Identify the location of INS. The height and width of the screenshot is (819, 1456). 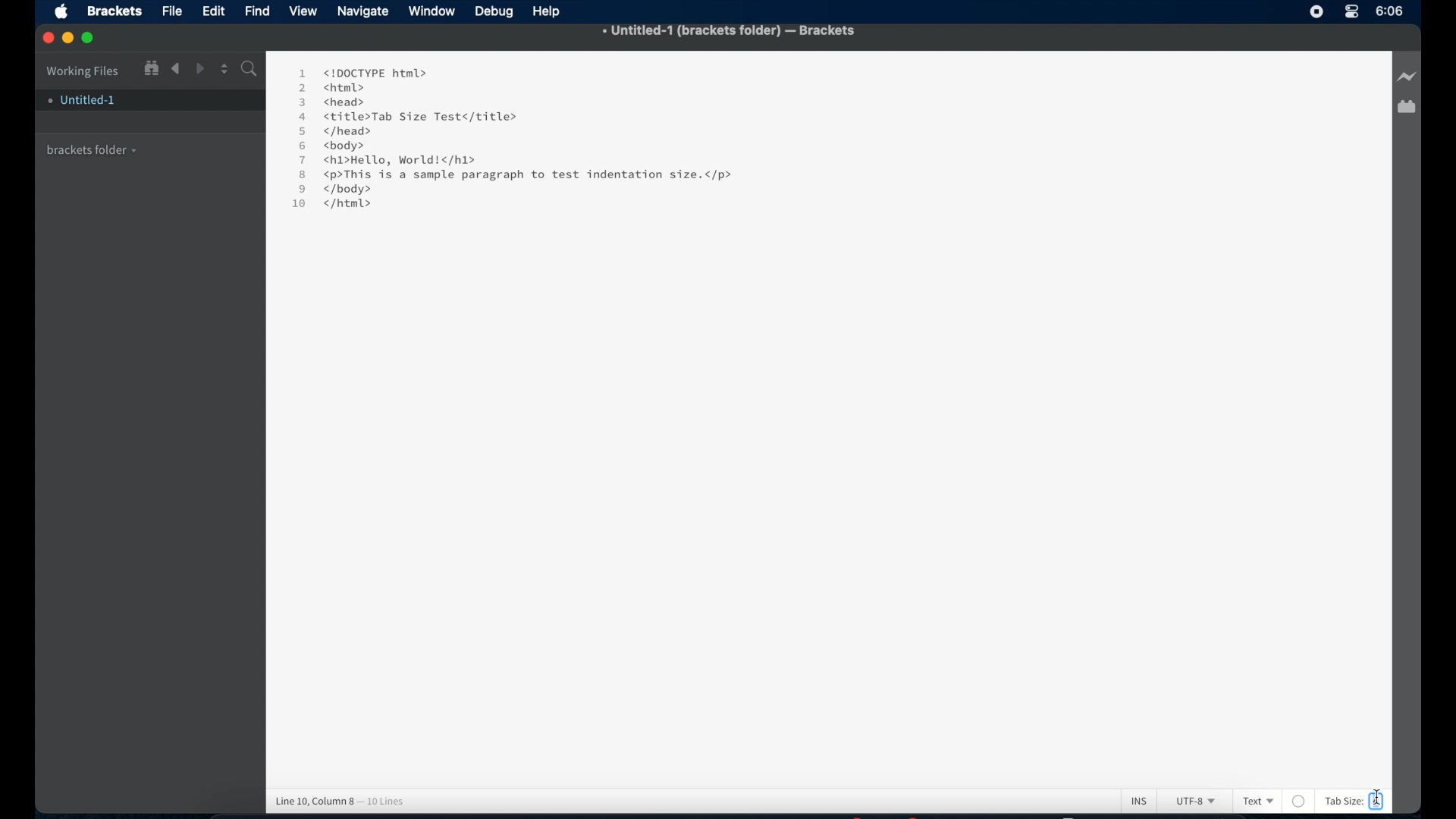
(1144, 800).